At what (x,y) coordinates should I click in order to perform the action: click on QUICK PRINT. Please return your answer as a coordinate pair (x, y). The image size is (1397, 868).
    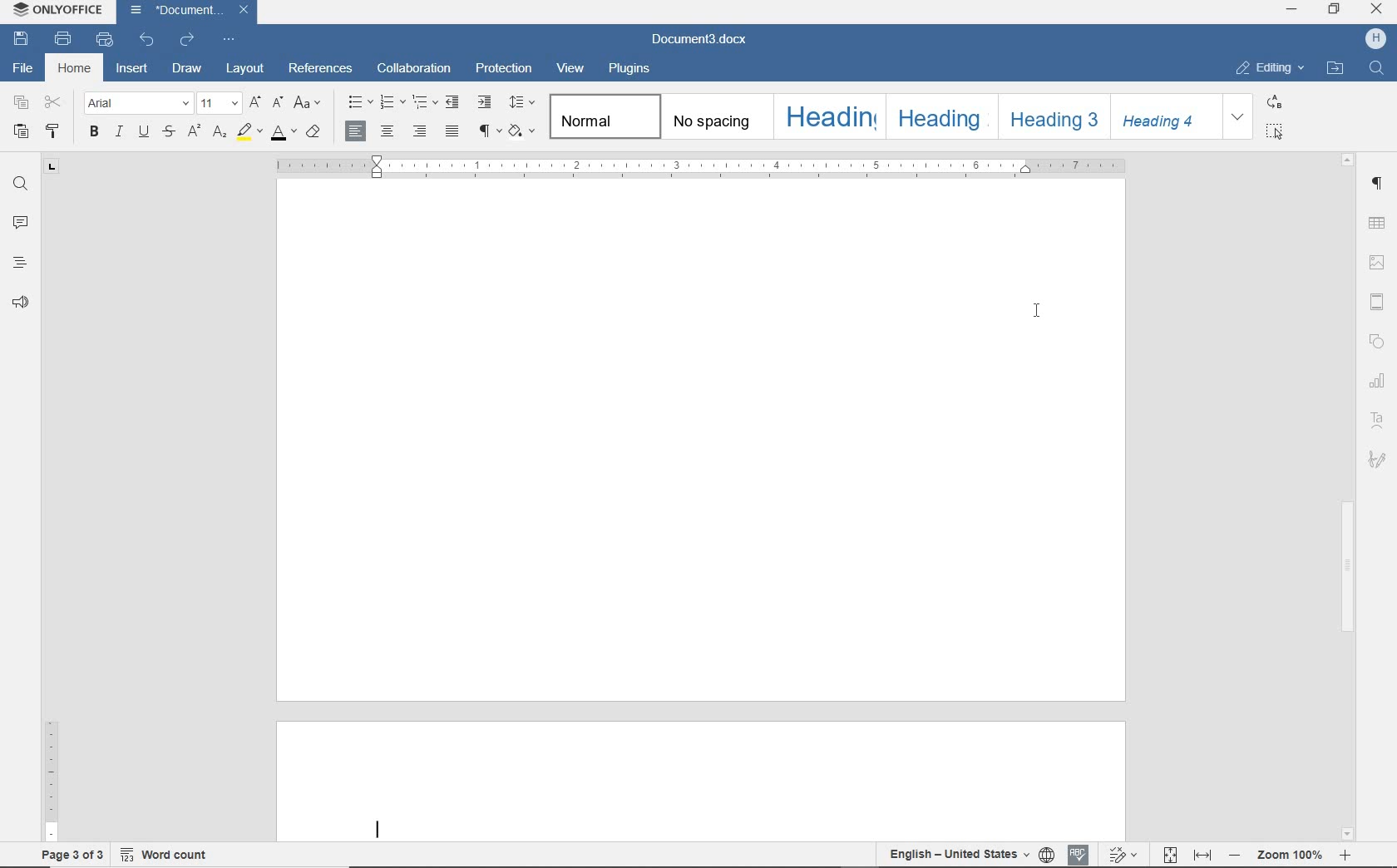
    Looking at the image, I should click on (107, 40).